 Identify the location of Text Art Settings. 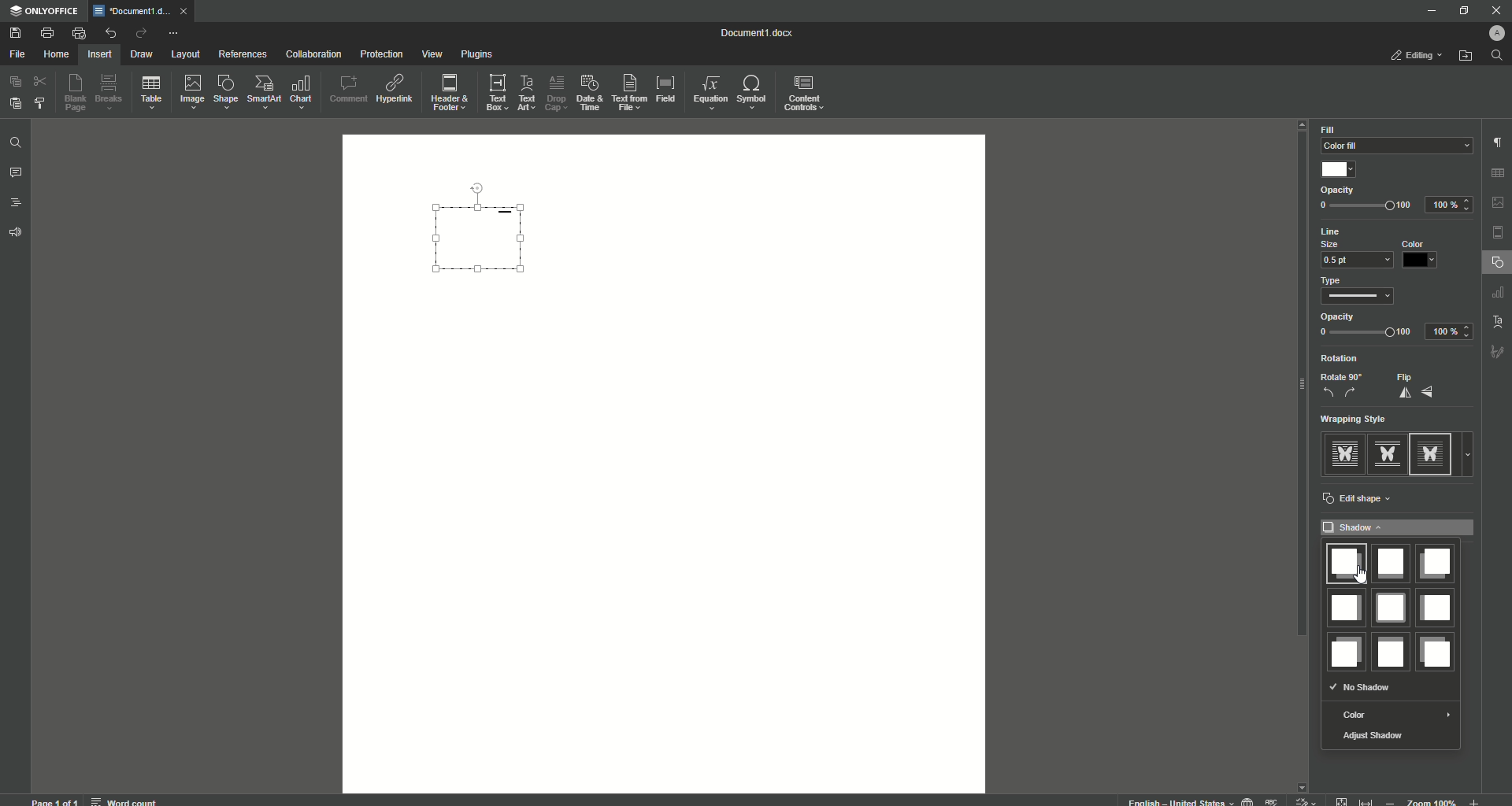
(1495, 320).